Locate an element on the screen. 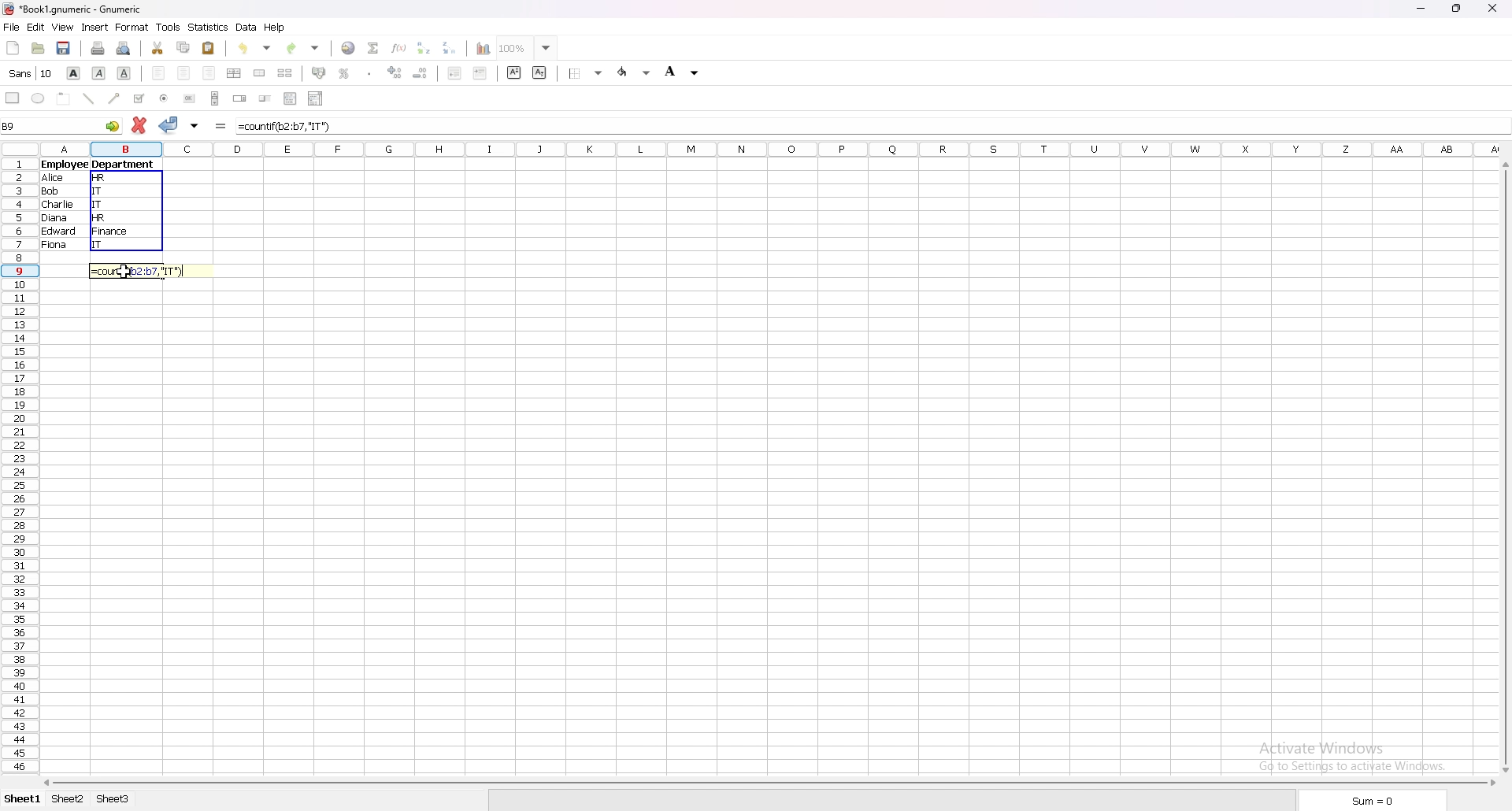  right align is located at coordinates (209, 74).